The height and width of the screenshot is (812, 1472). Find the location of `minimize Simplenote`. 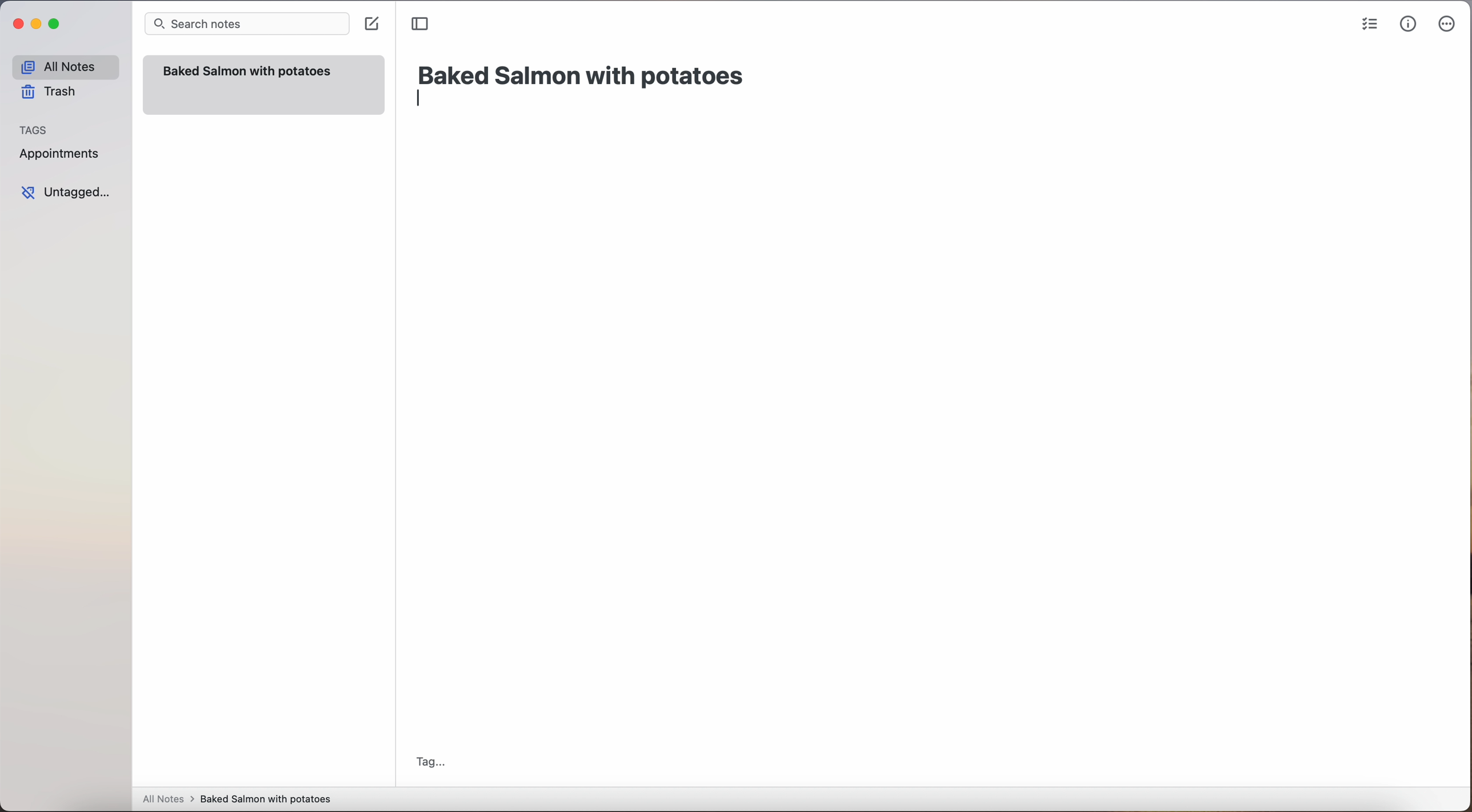

minimize Simplenote is located at coordinates (36, 25).